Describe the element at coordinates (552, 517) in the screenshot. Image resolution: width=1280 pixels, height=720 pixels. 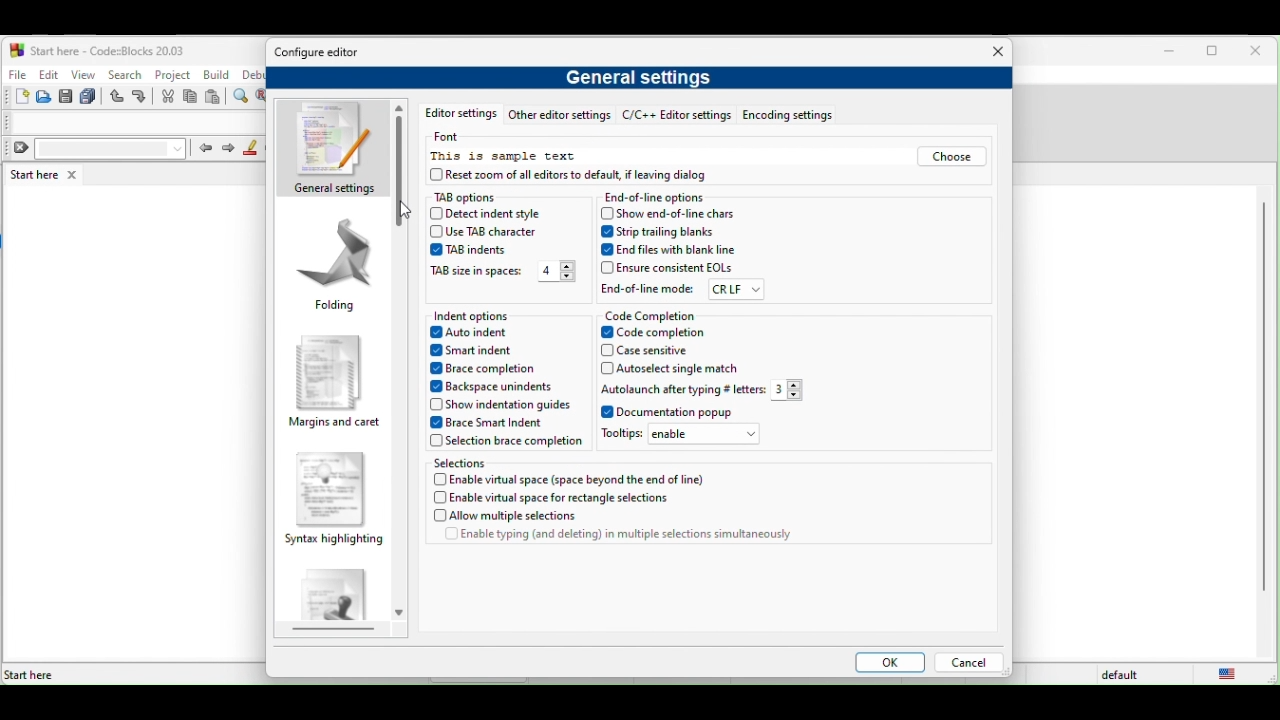
I see `allow multiple selections` at that location.